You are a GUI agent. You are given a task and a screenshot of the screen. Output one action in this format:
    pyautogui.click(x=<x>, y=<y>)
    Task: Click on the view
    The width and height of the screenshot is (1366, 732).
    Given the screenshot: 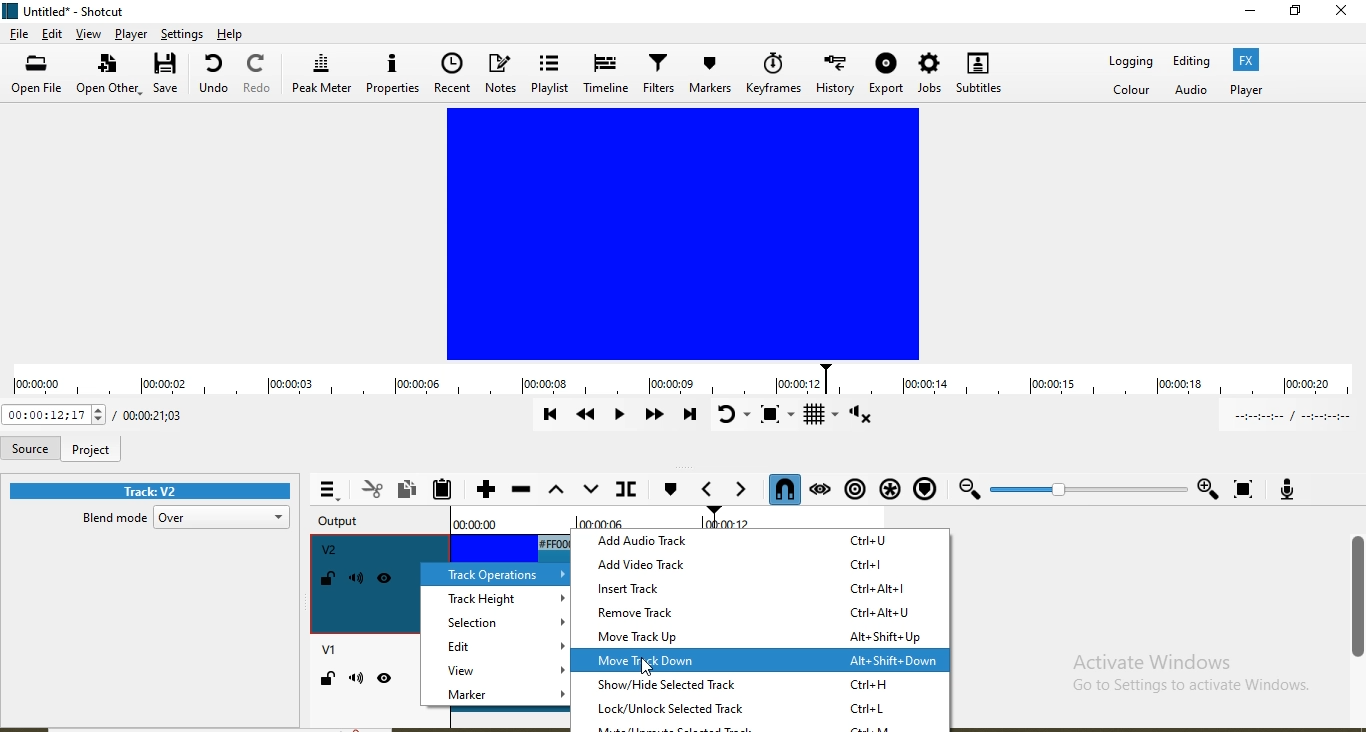 What is the action you would take?
    pyautogui.click(x=89, y=35)
    